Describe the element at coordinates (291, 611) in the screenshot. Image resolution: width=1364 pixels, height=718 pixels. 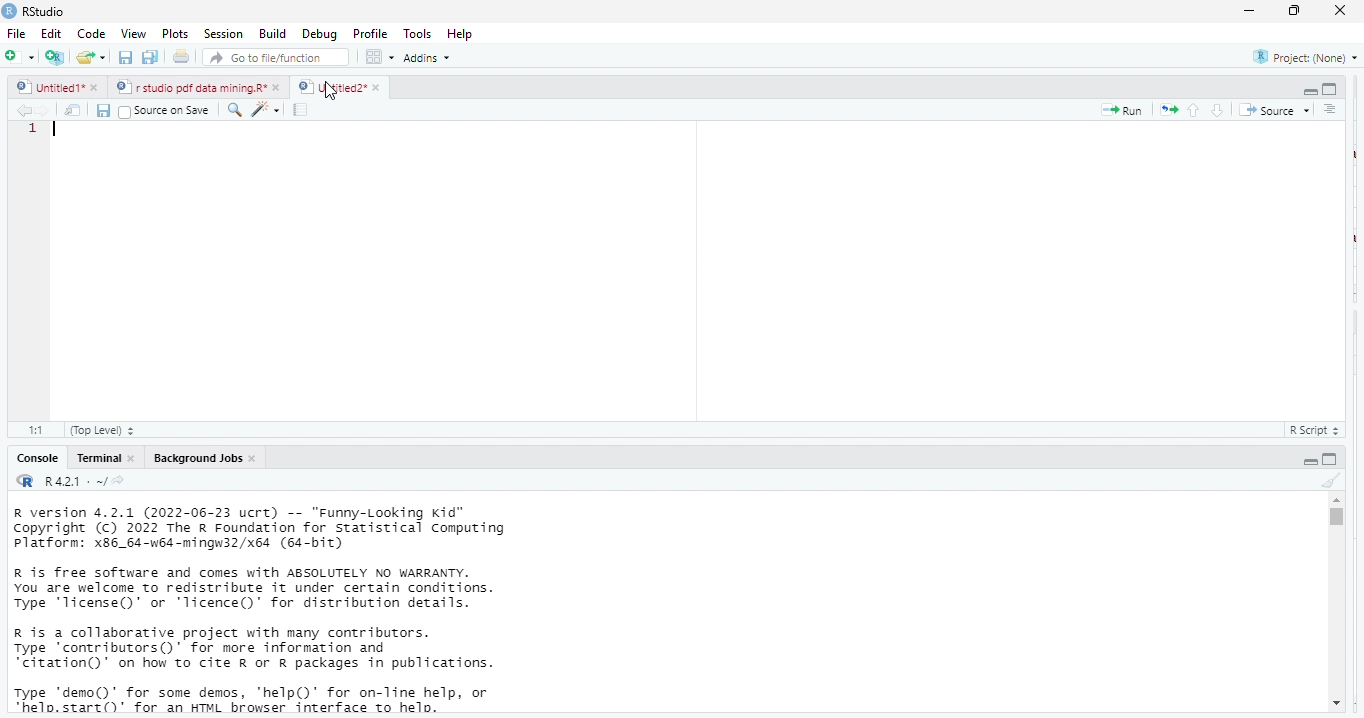
I see `R version 4.2.1 (2022-06-23 ucrt) -- "Funny-Looking Kid™
Copyright (C) 2022 The R Foundation for Statistical Computing
Platform: x86_64-w64-mingw32/x64 (64-bit)

R is free software and comes with ABSOLUTELY NO WARRANTY.
You are welcome to redistribute it under certain conditions.
Type 'Ticense()' or 'licence()’ for distribution details.

R is a collaborative project with many contributors.

Type ‘contributors()’ for more information and

“citation()’ on how to cite R or R packages in publications.
Type "demo()’ for some demos, 'help()' for on-line help, or
"helo.start()" for an HTML browser interface to helo.` at that location.